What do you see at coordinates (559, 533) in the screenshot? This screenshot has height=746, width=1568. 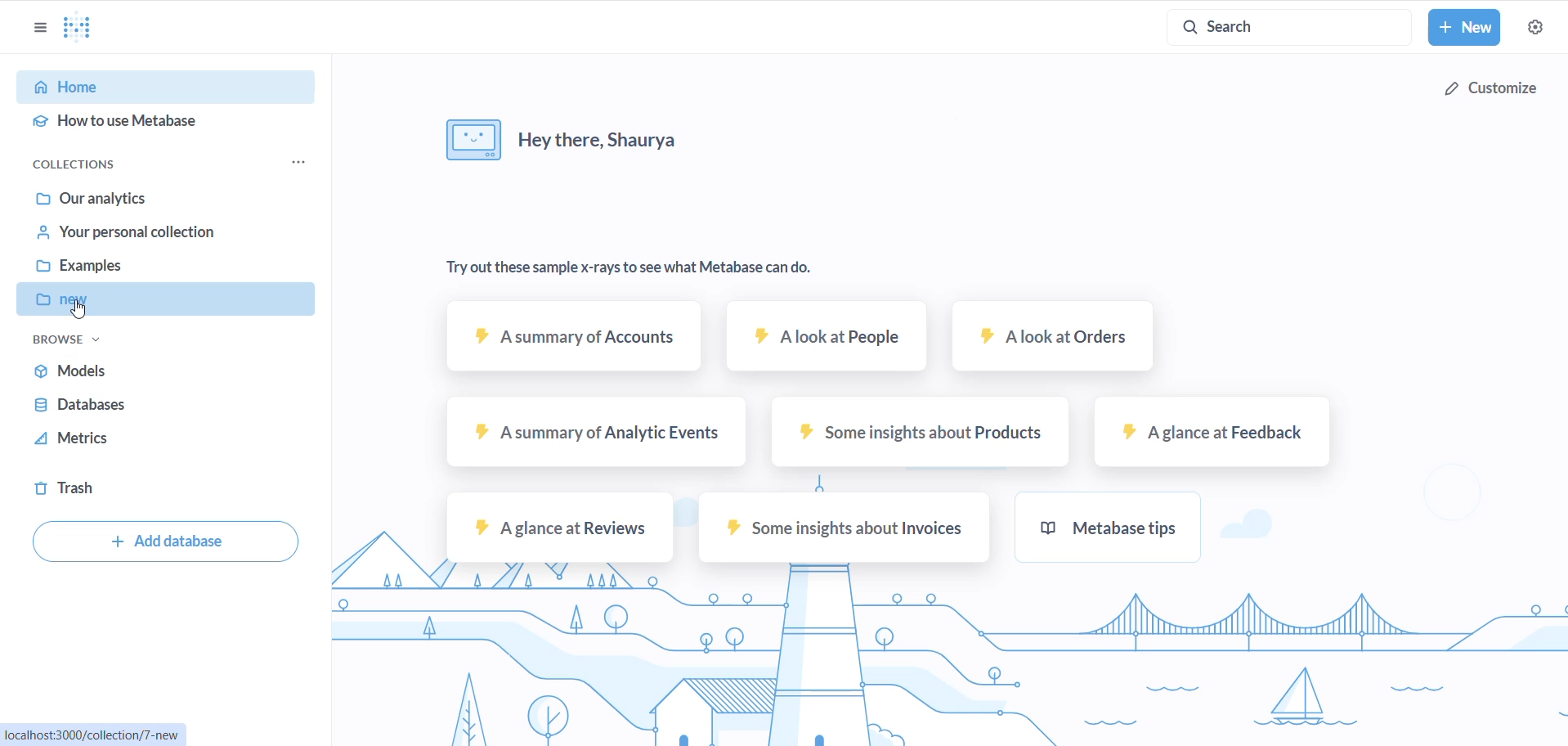 I see `A glance at reviews` at bounding box center [559, 533].